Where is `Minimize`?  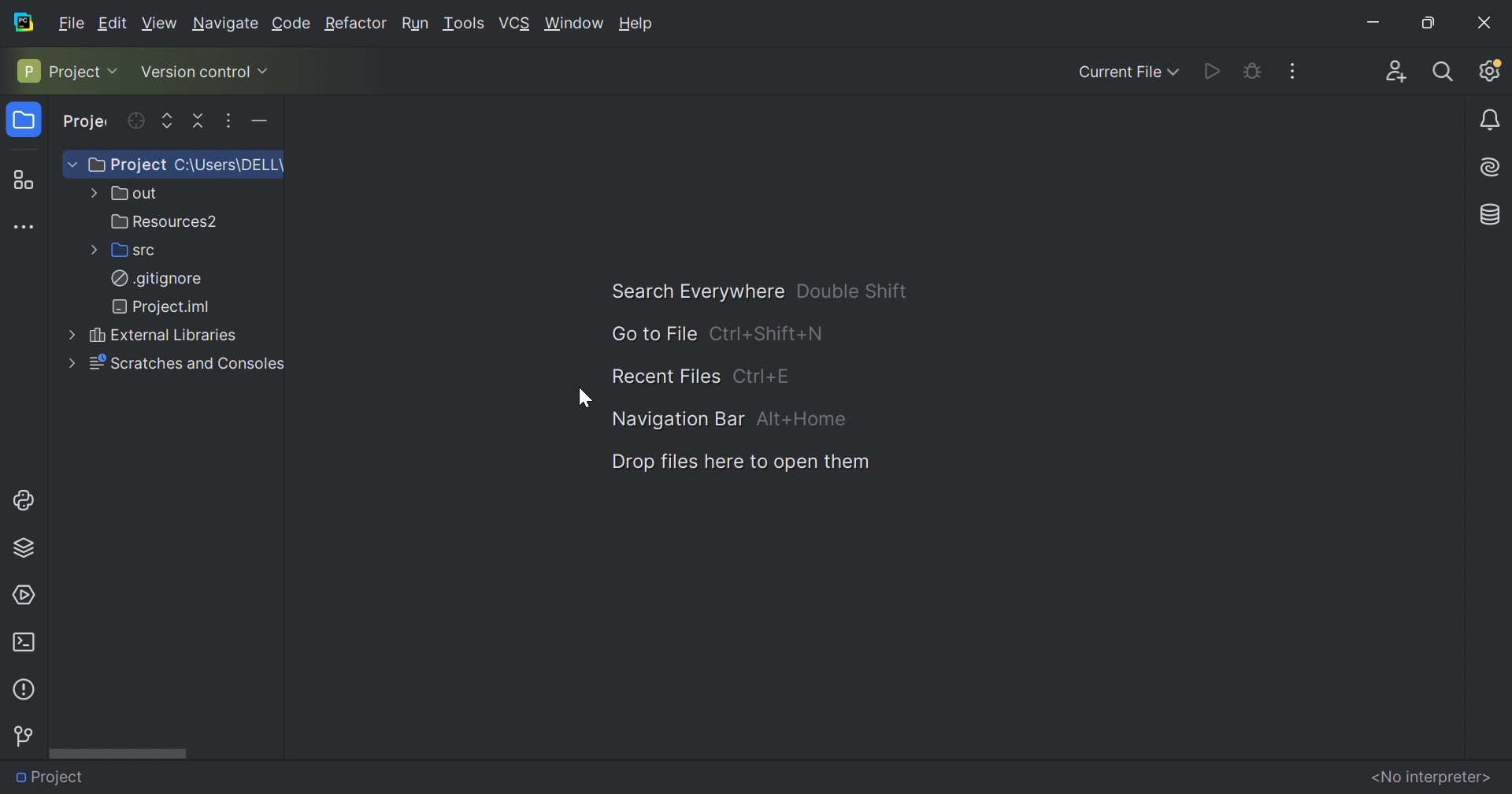 Minimize is located at coordinates (1370, 21).